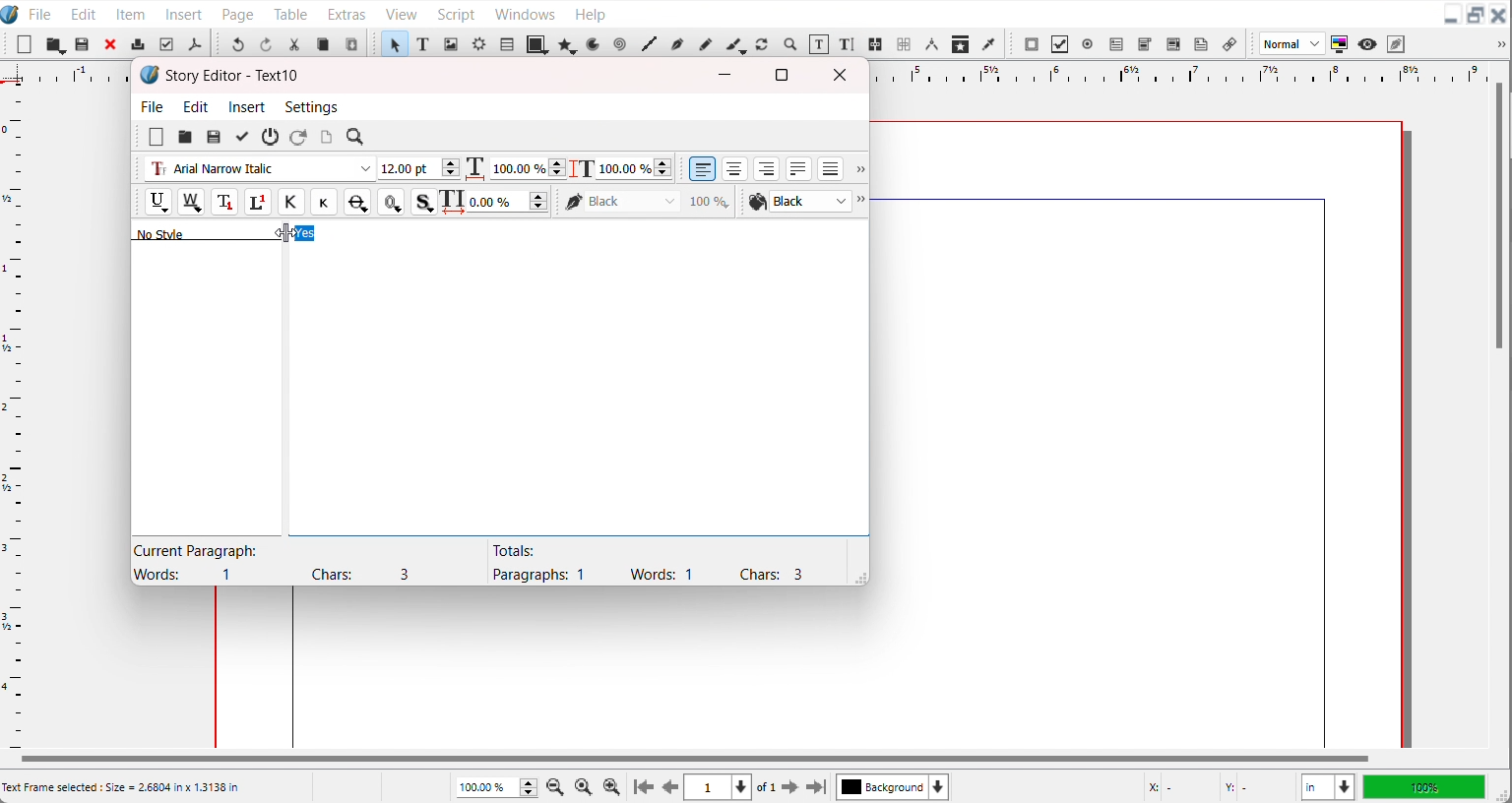 Image resolution: width=1512 pixels, height=803 pixels. Describe the element at coordinates (819, 44) in the screenshot. I see `Edit content with frame` at that location.